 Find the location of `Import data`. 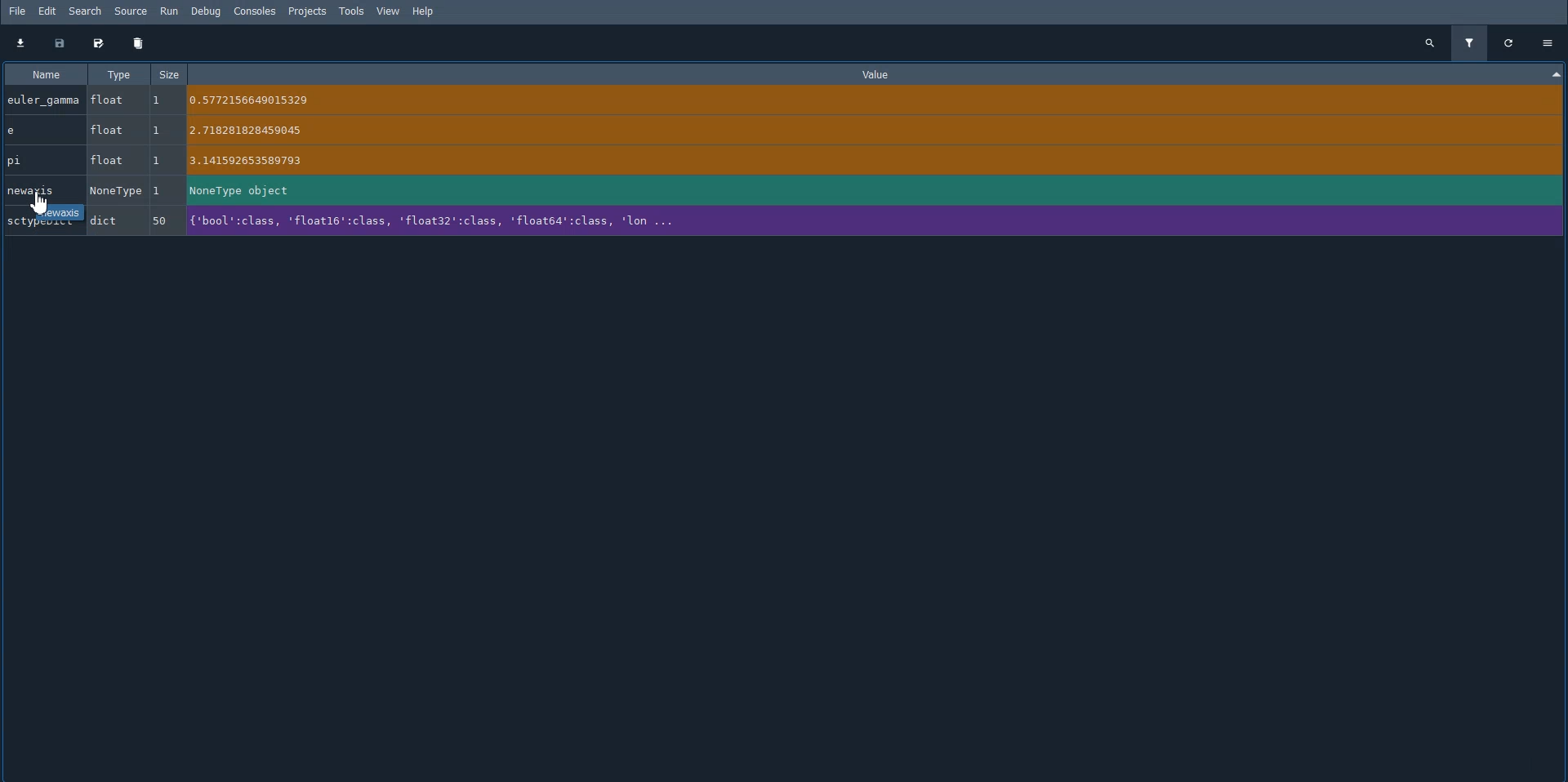

Import data is located at coordinates (21, 43).